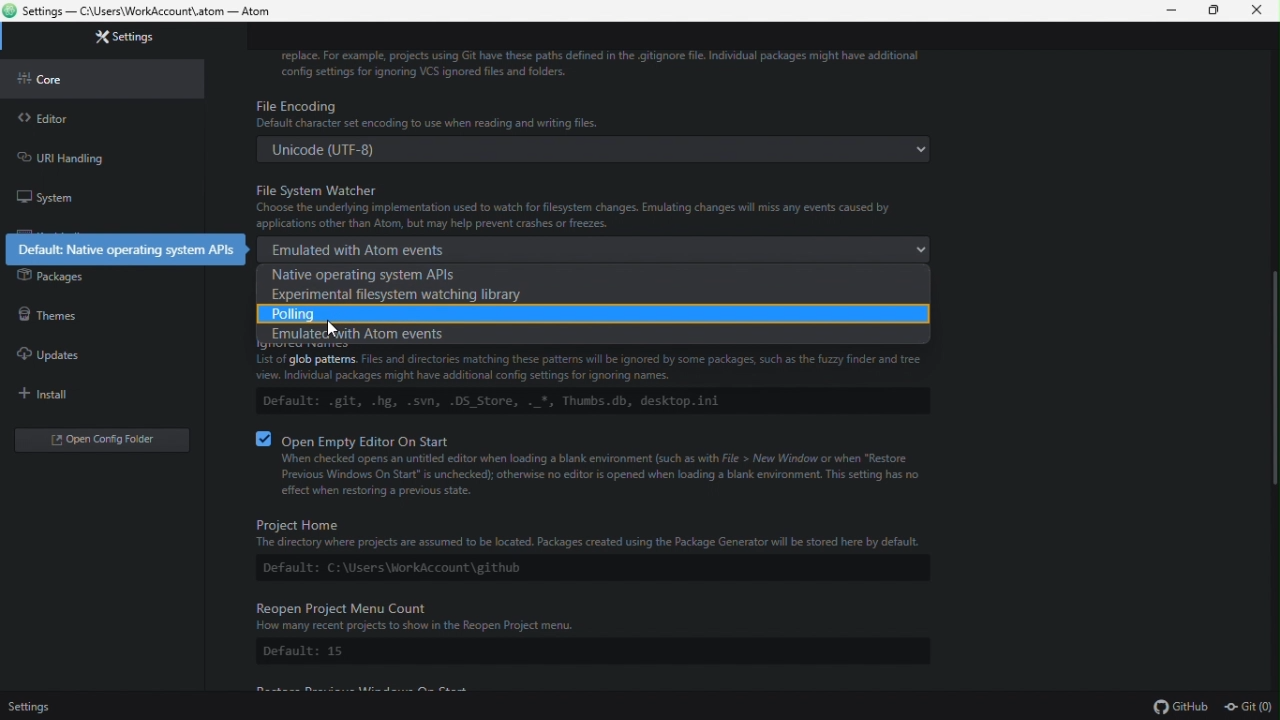 The width and height of the screenshot is (1280, 720). I want to click on git, so click(1250, 708).